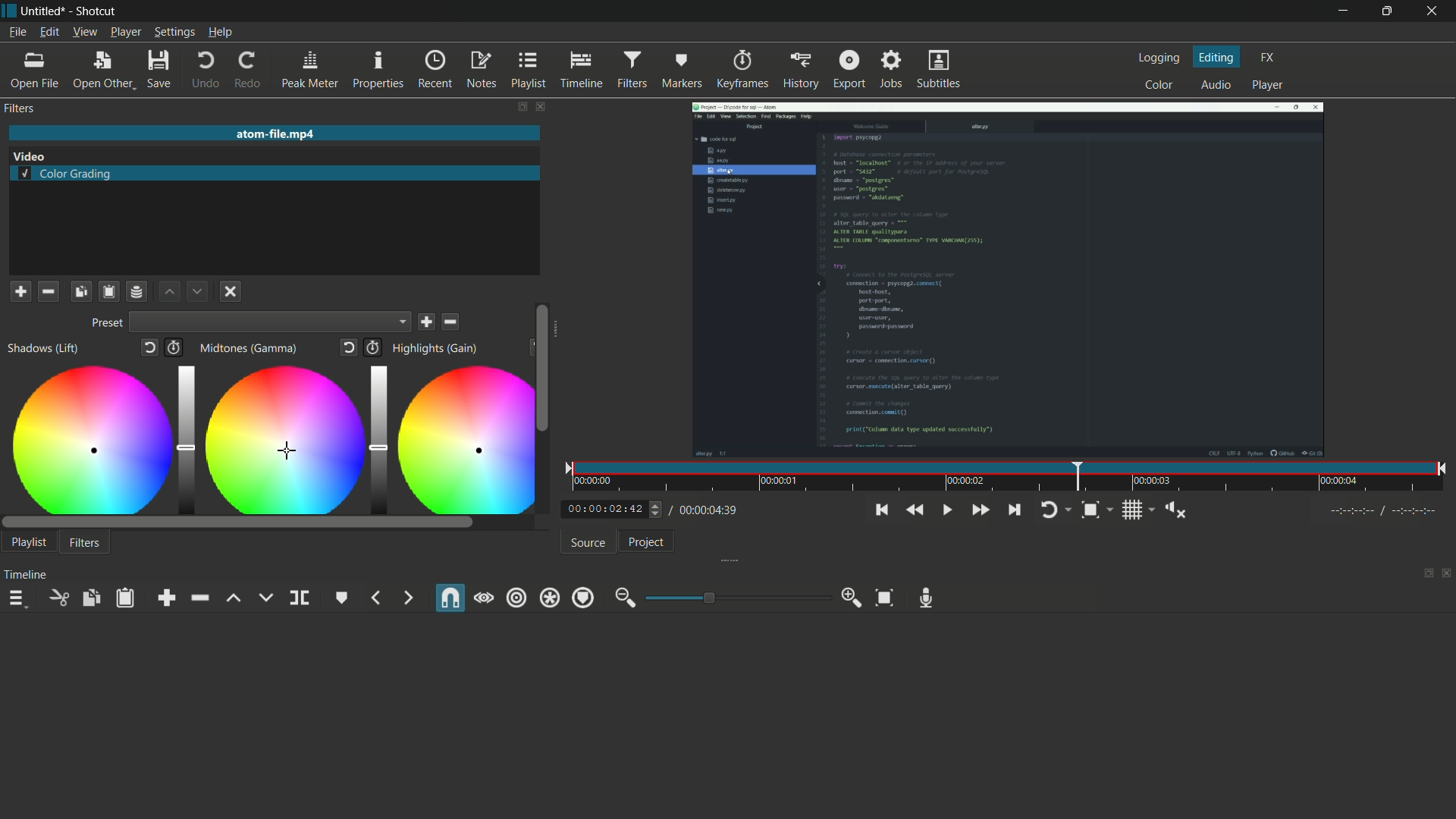 This screenshot has width=1456, height=819. What do you see at coordinates (448, 599) in the screenshot?
I see `snap` at bounding box center [448, 599].